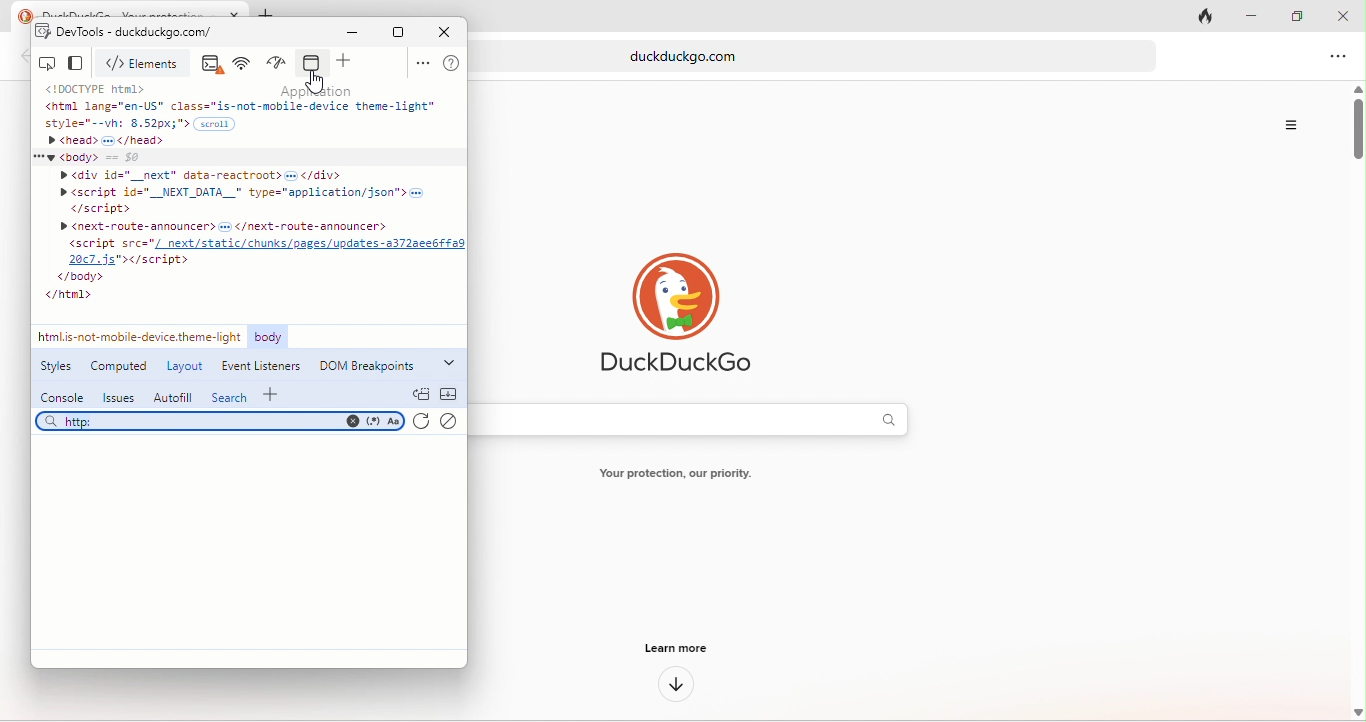 The image size is (1366, 722). Describe the element at coordinates (450, 423) in the screenshot. I see `clear` at that location.